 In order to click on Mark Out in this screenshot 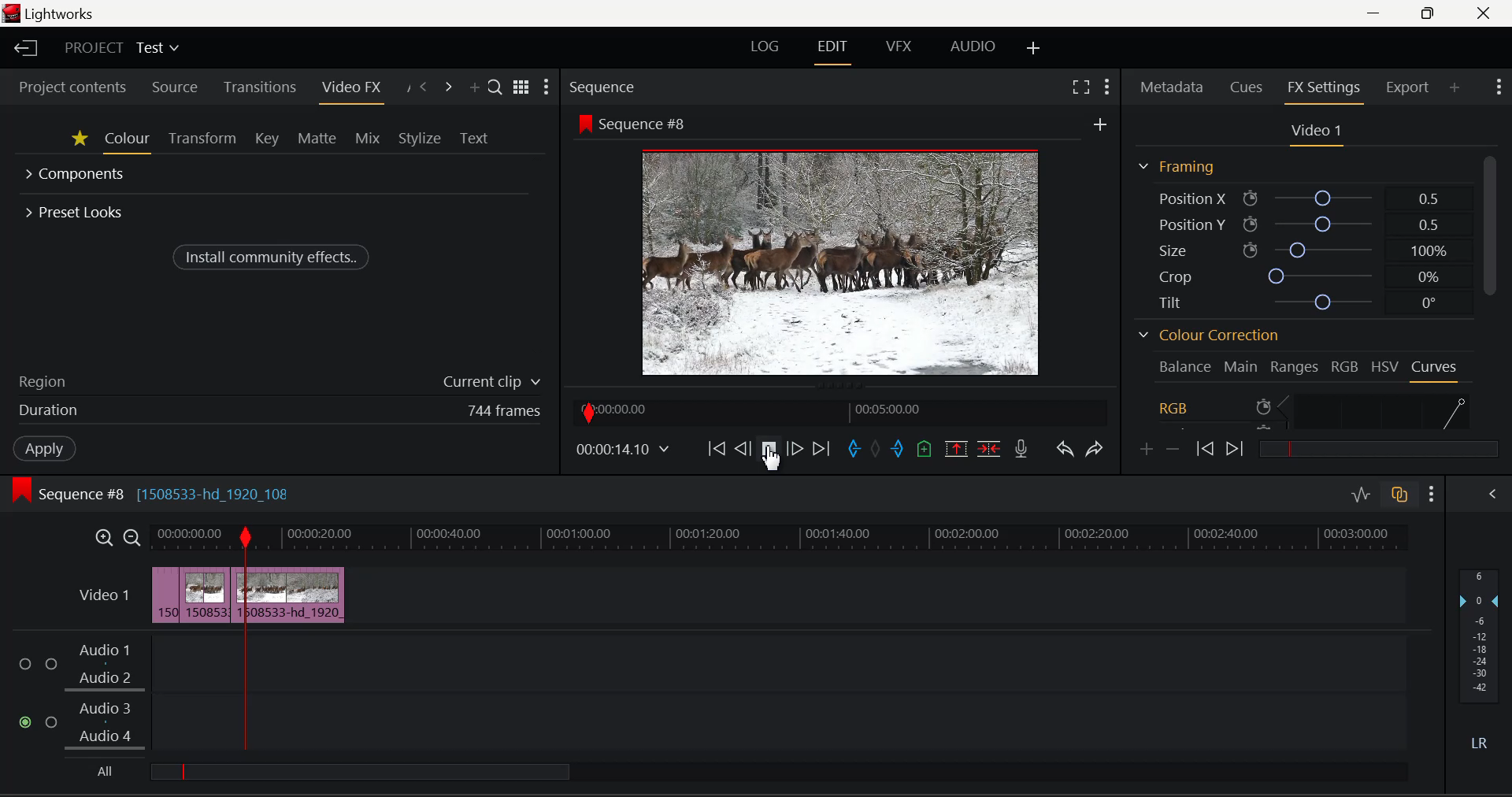, I will do `click(898, 449)`.